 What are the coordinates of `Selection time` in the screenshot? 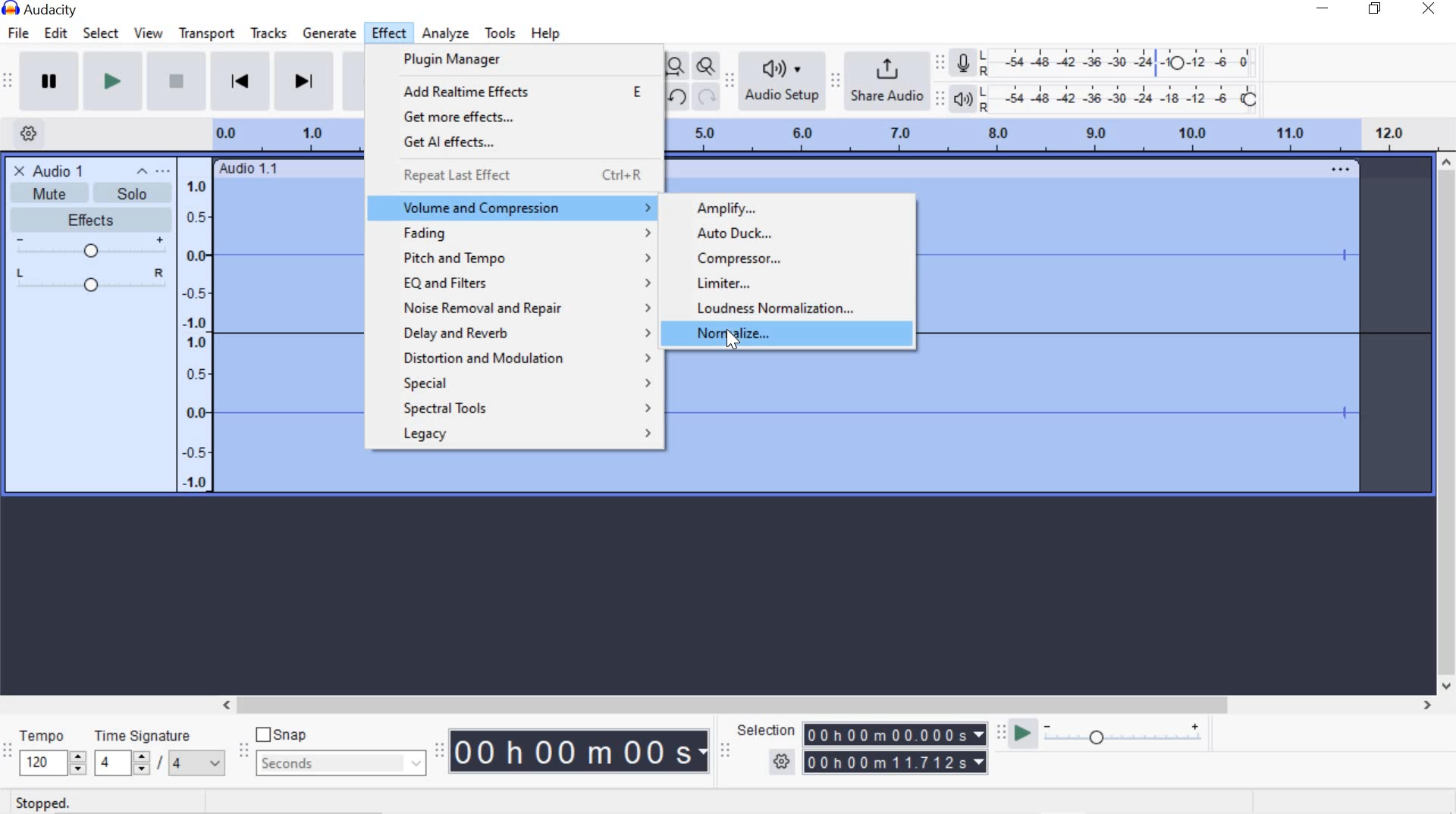 It's located at (898, 749).